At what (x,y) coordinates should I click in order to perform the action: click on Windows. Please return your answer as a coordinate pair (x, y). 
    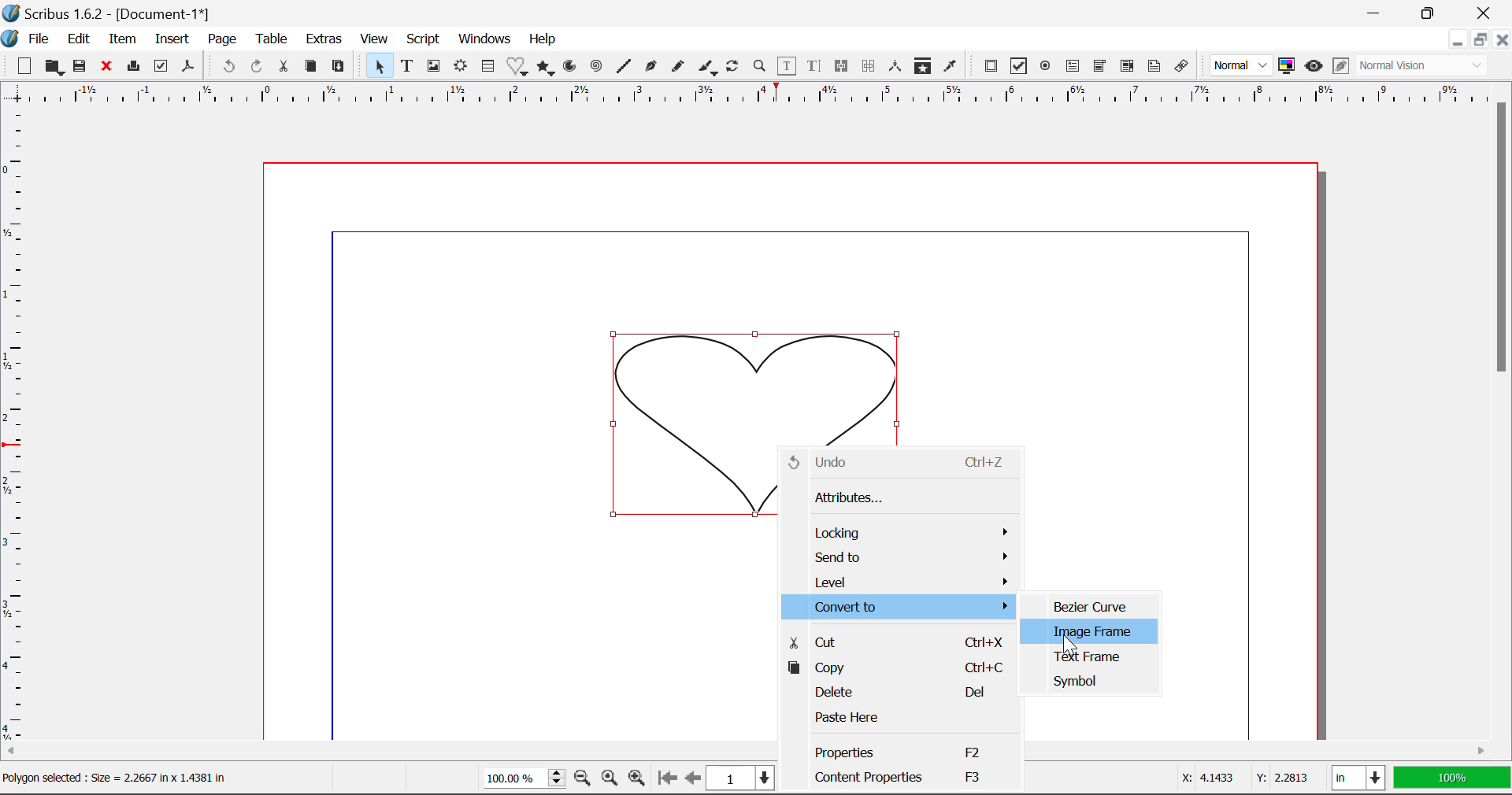
    Looking at the image, I should click on (485, 39).